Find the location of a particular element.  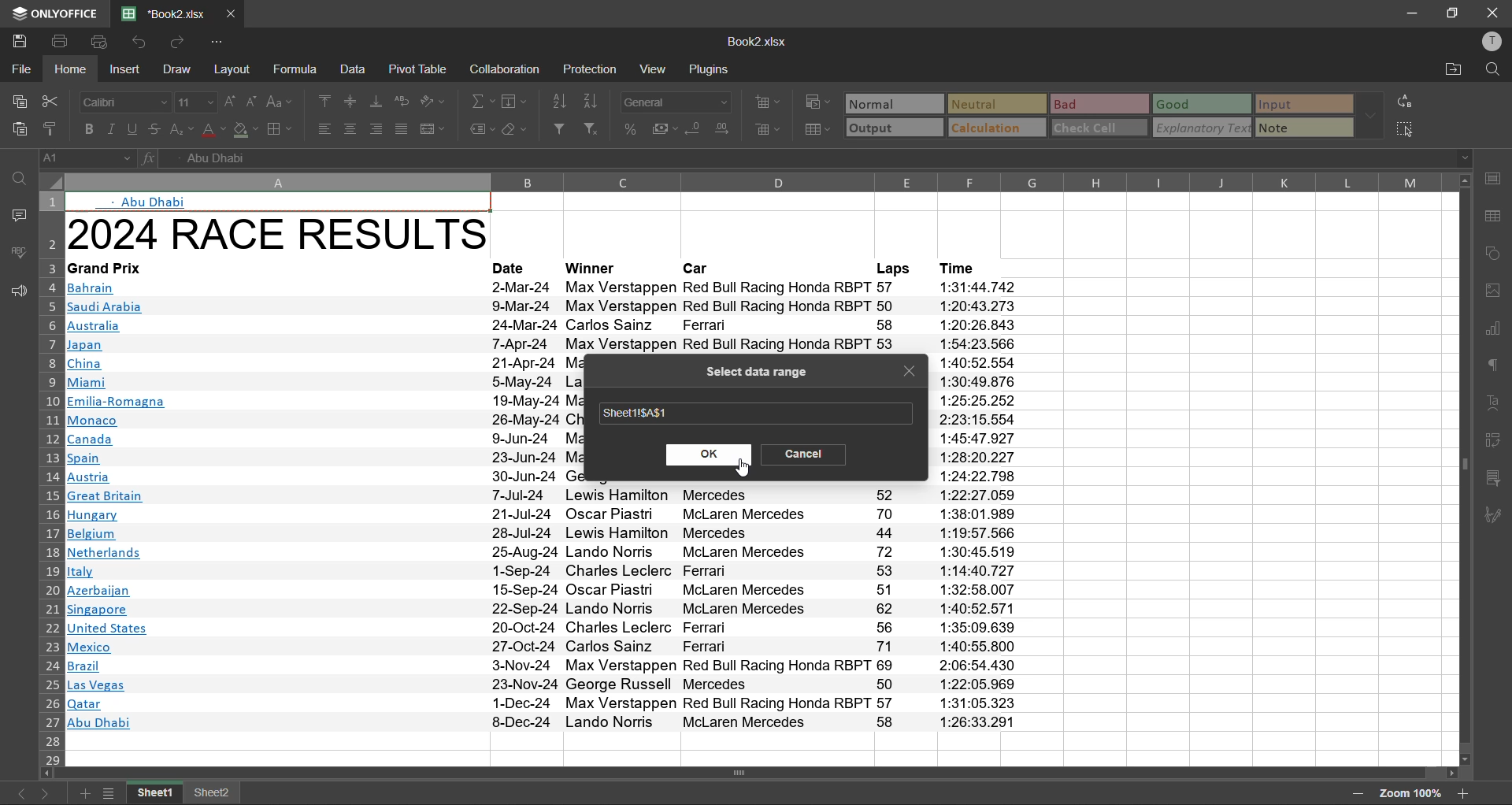

open location is located at coordinates (1450, 69).